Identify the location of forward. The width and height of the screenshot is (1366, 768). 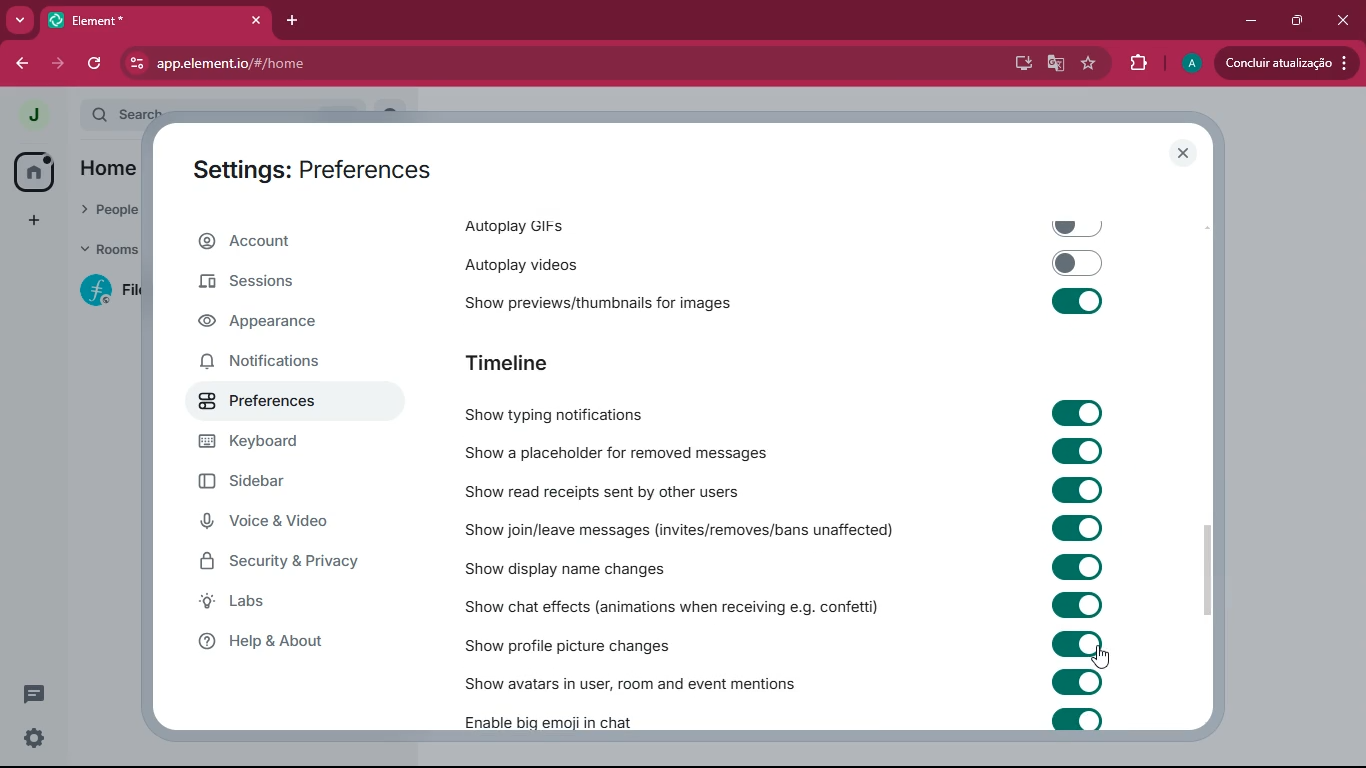
(58, 66).